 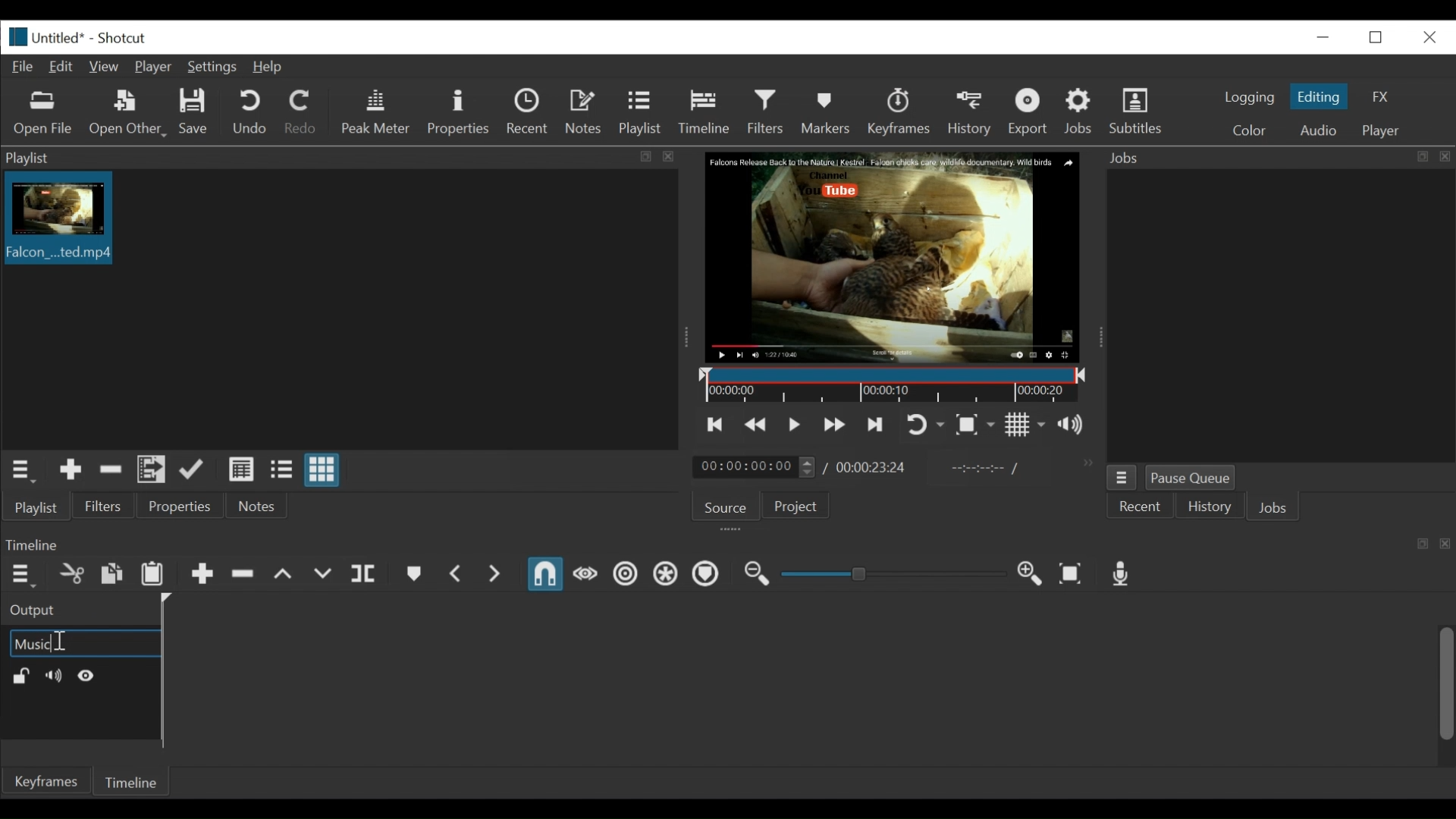 I want to click on Export, so click(x=1029, y=113).